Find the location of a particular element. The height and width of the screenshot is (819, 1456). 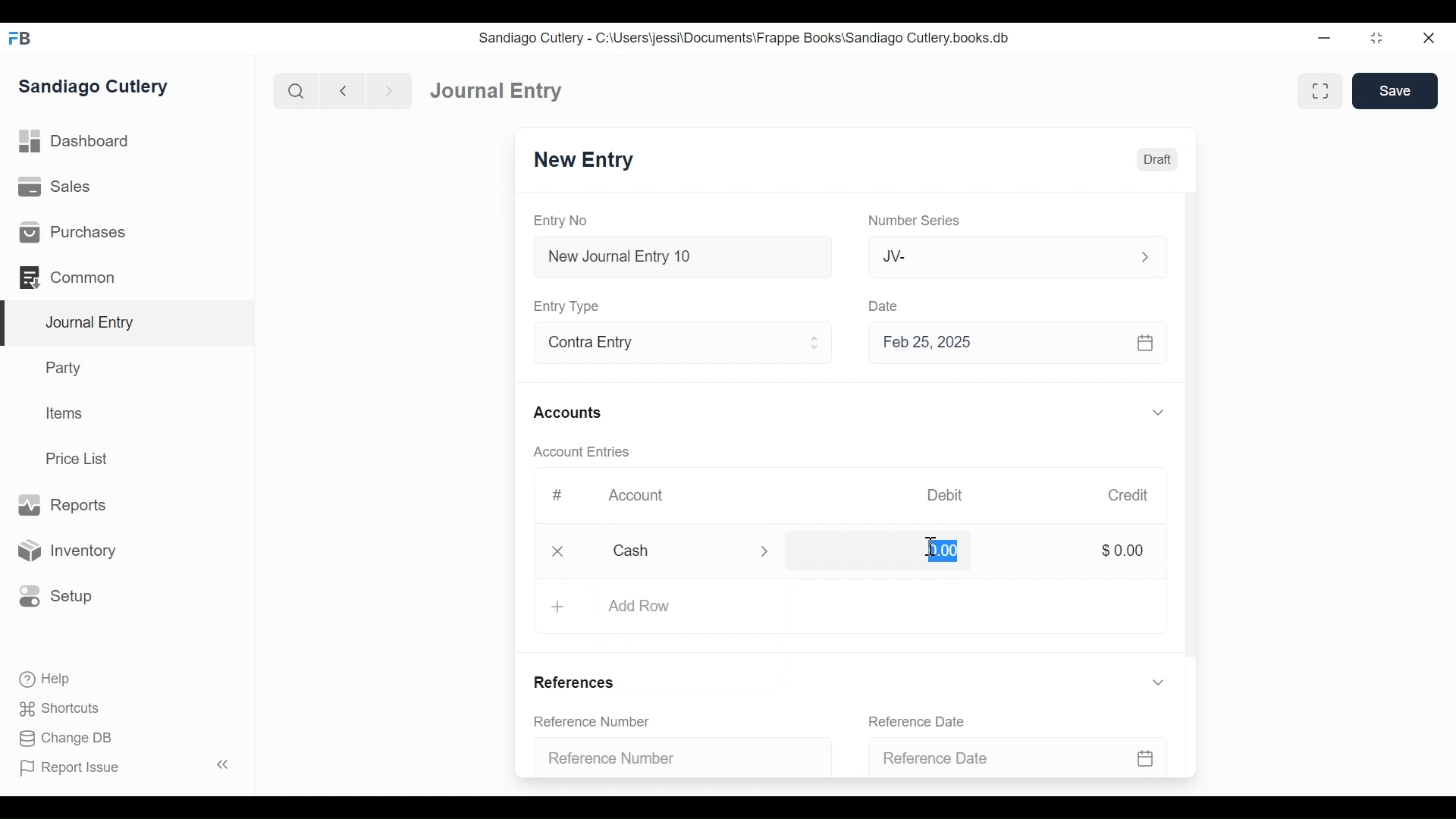

Feb 25, 2025 is located at coordinates (1019, 346).